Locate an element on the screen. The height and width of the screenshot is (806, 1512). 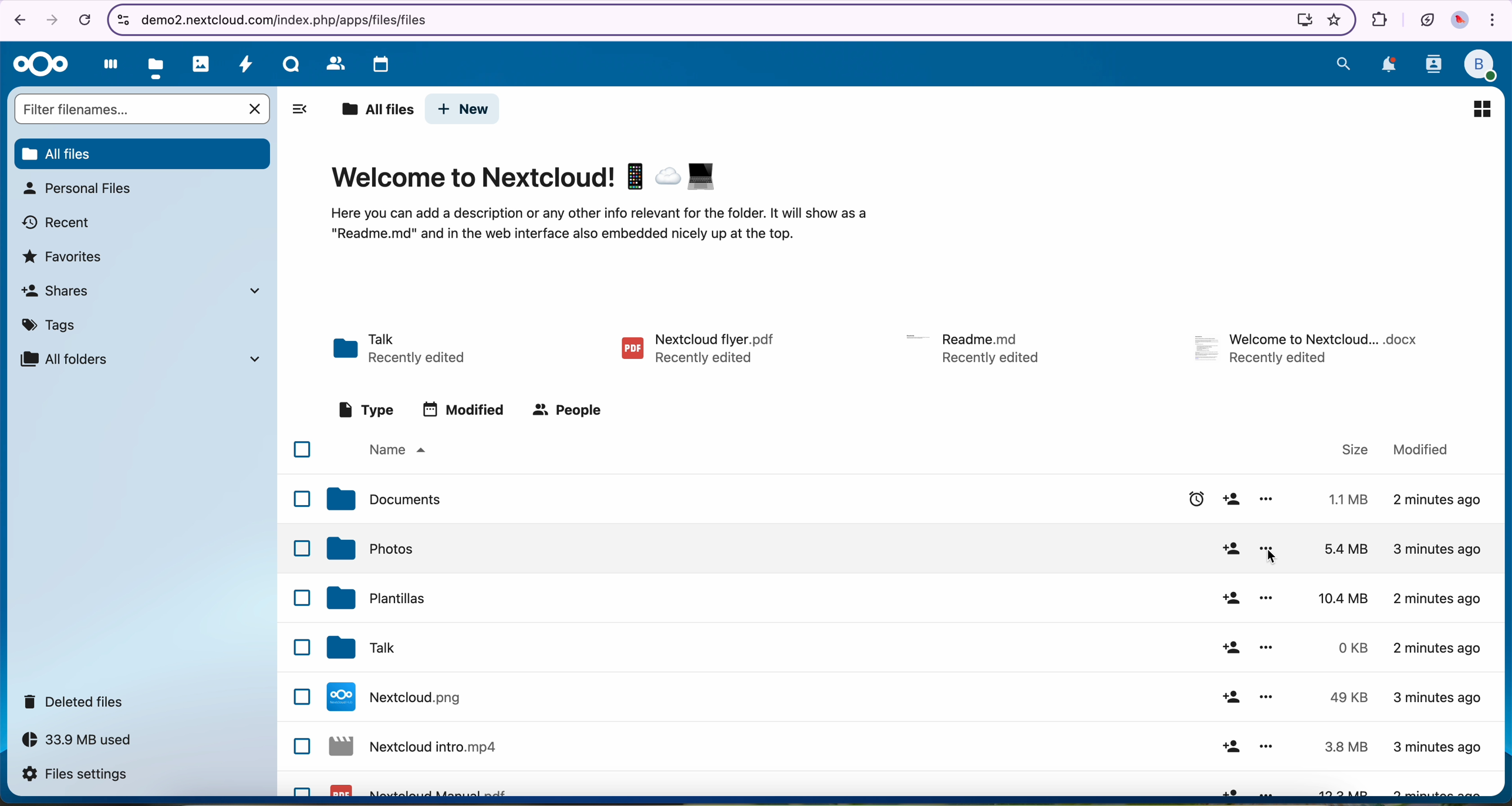
files settings is located at coordinates (75, 775).